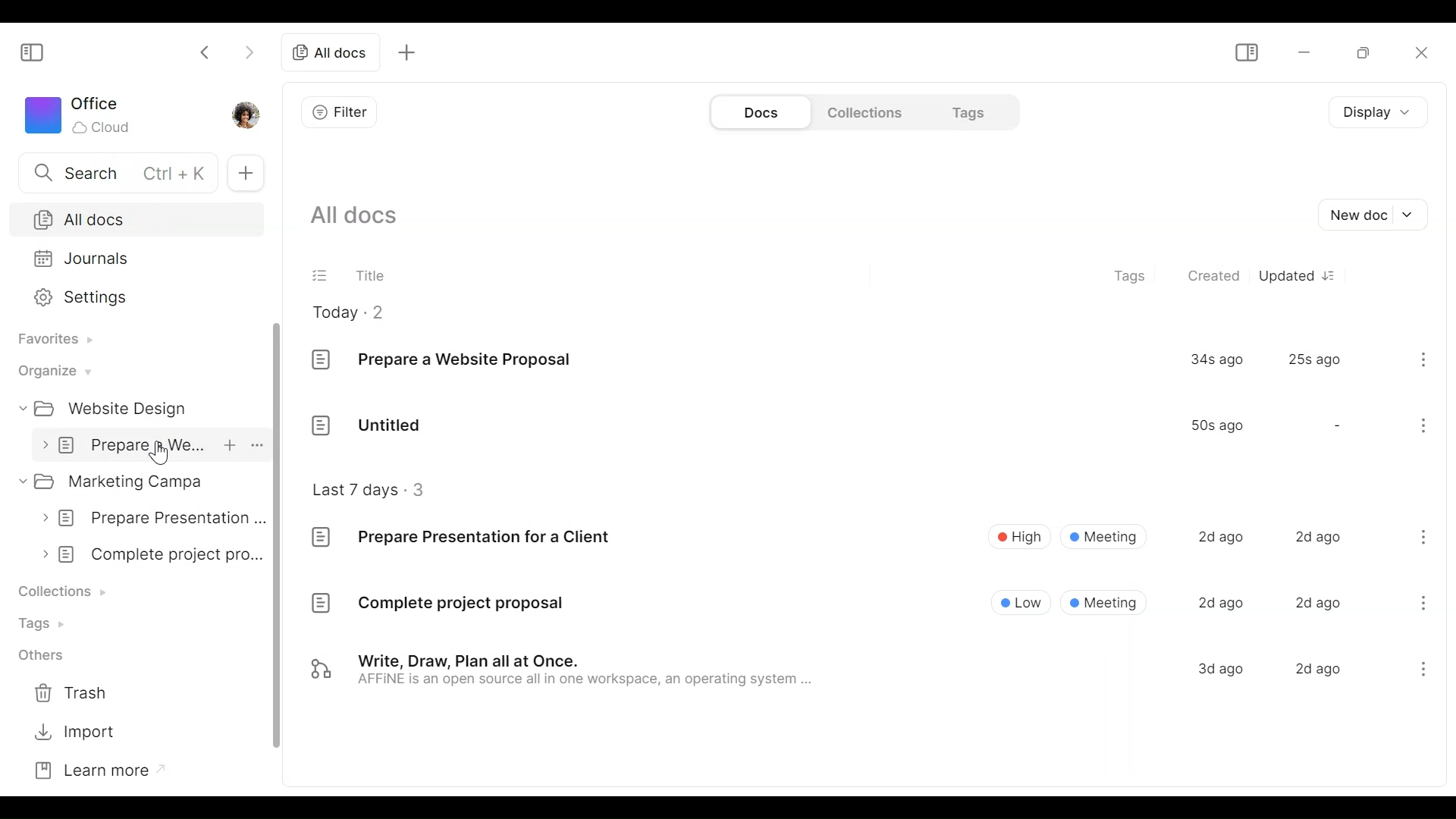 Image resolution: width=1456 pixels, height=819 pixels. I want to click on Search, so click(108, 171).